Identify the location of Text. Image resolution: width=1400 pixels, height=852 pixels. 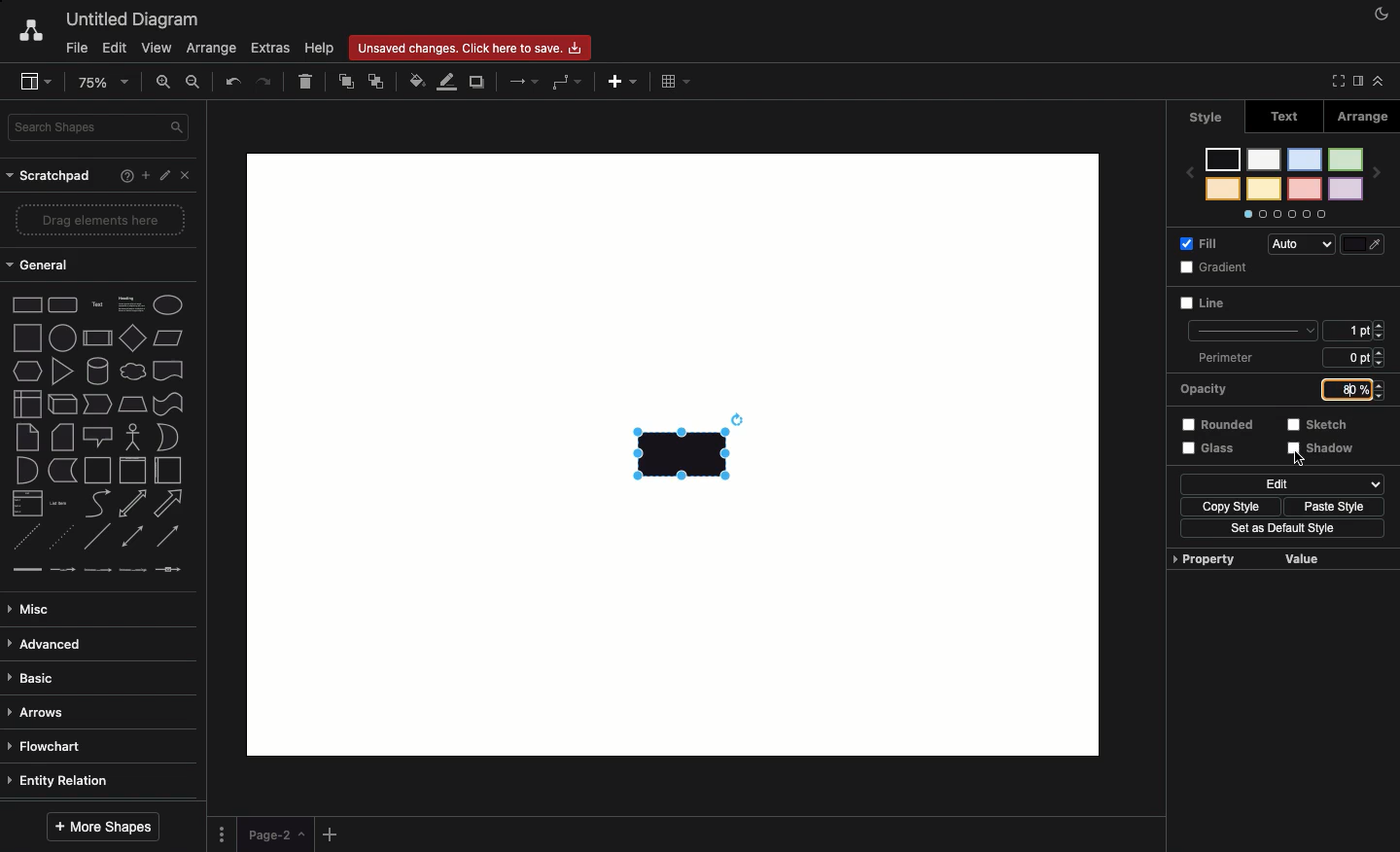
(98, 305).